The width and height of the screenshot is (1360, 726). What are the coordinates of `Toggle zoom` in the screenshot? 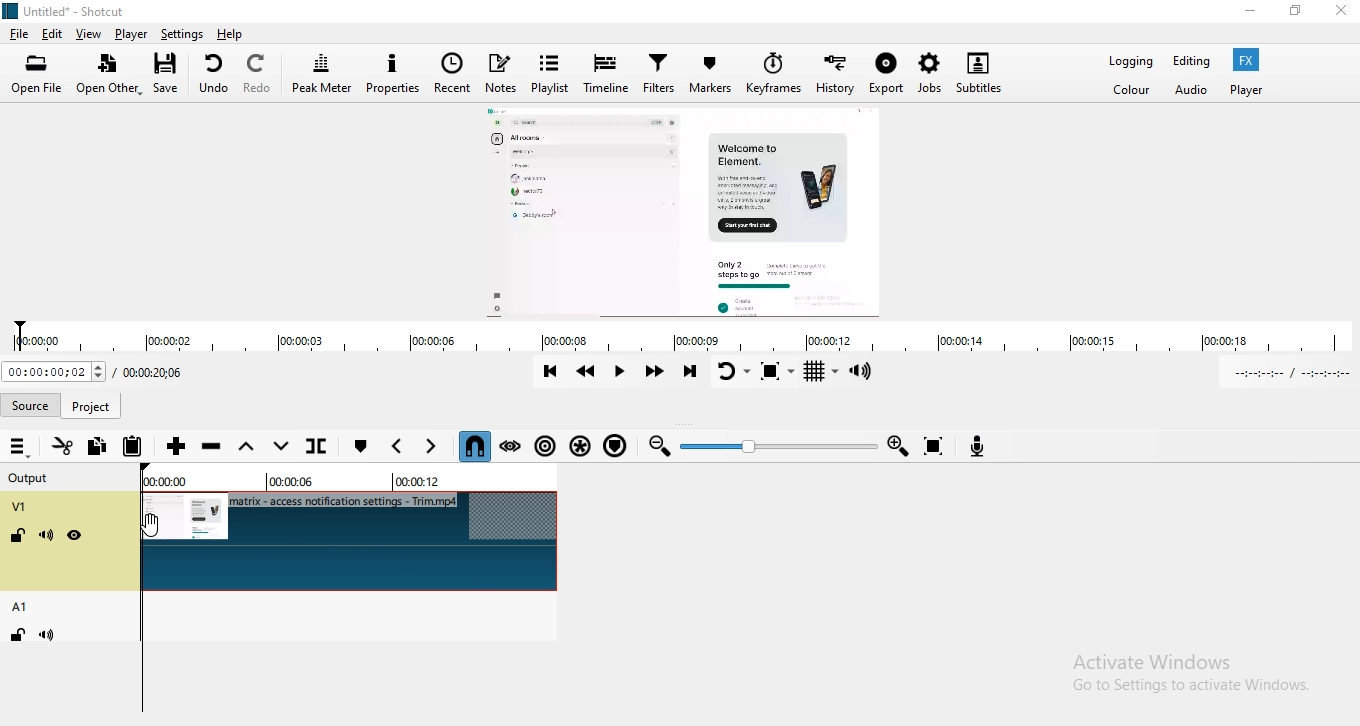 It's located at (2597, 1237).